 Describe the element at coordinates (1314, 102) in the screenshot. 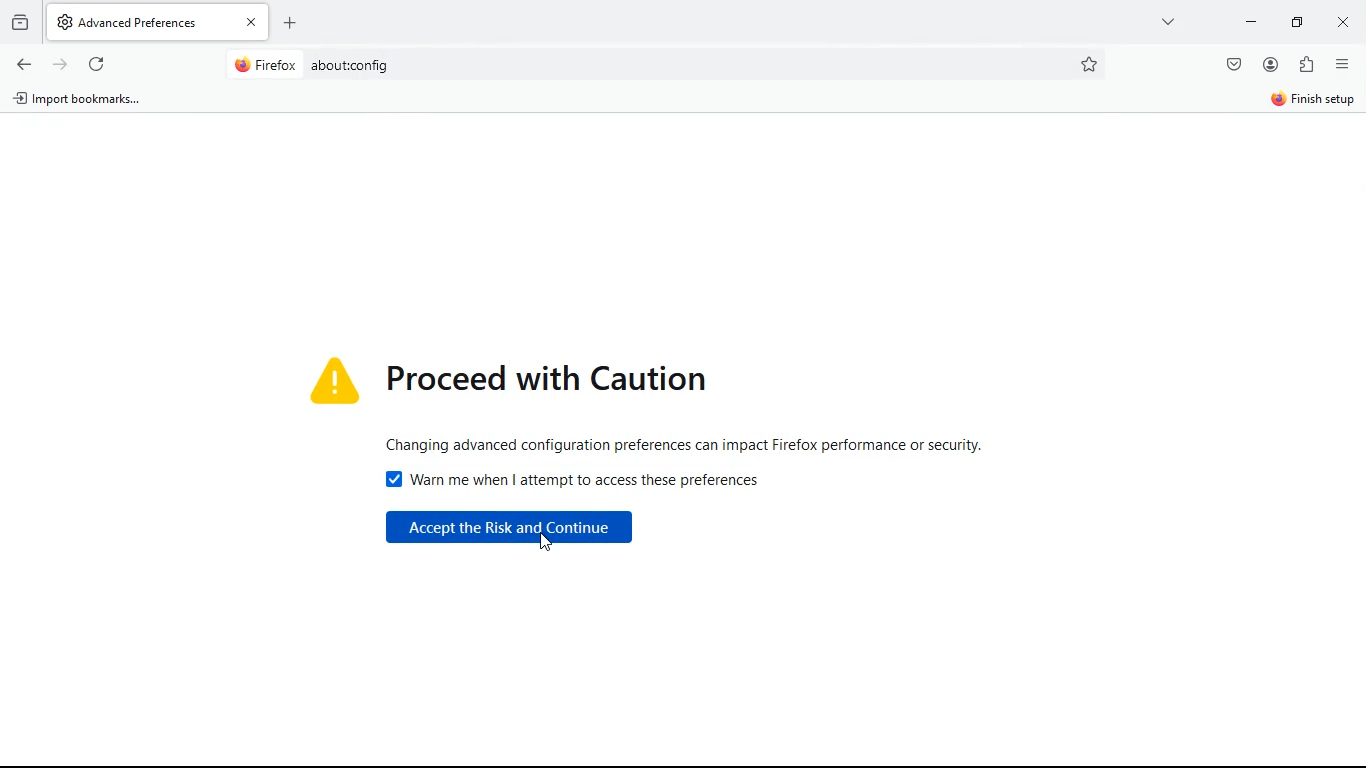

I see `finish setup` at that location.